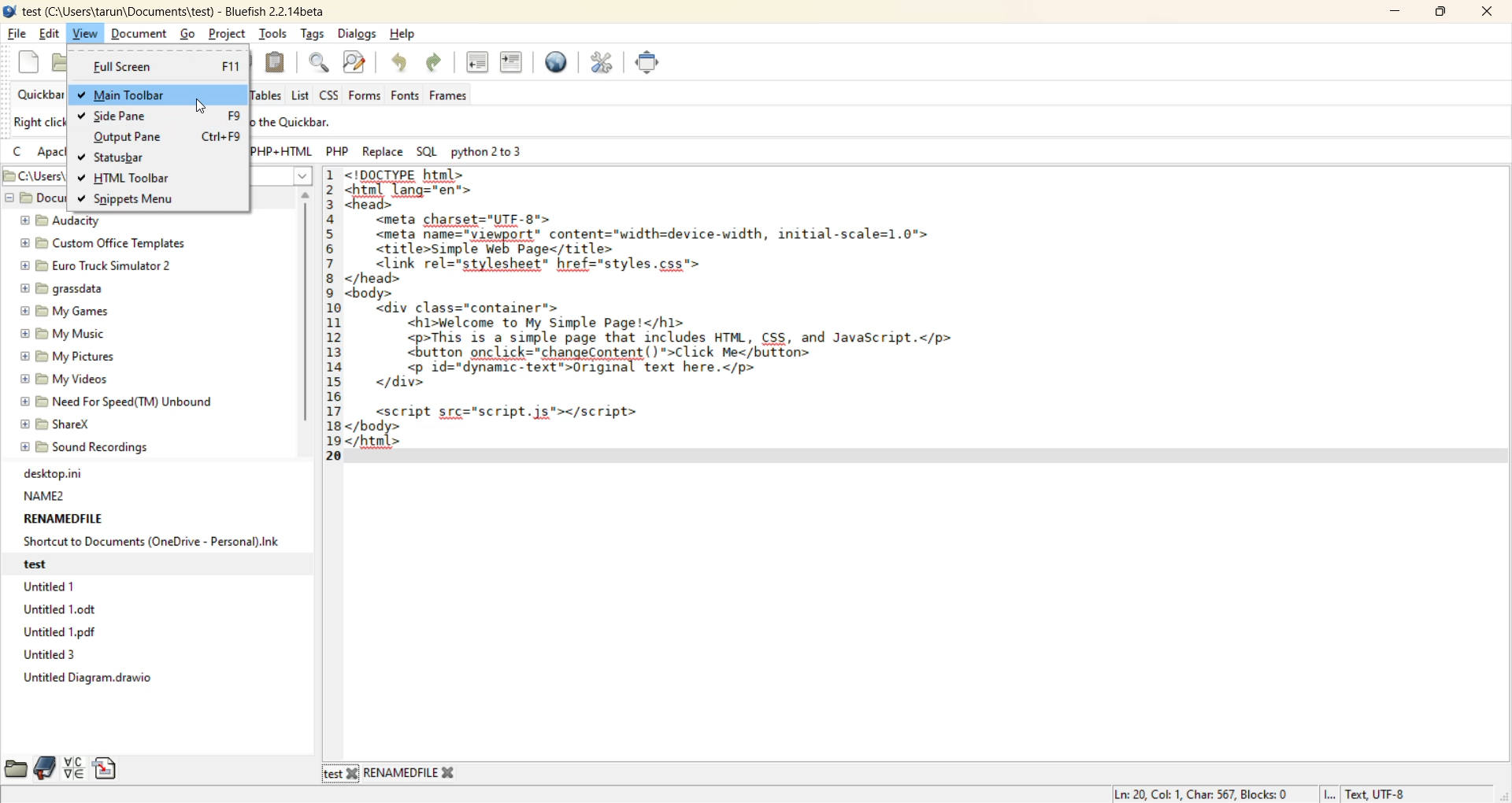  Describe the element at coordinates (61, 633) in the screenshot. I see `Untitled 1.pdf` at that location.